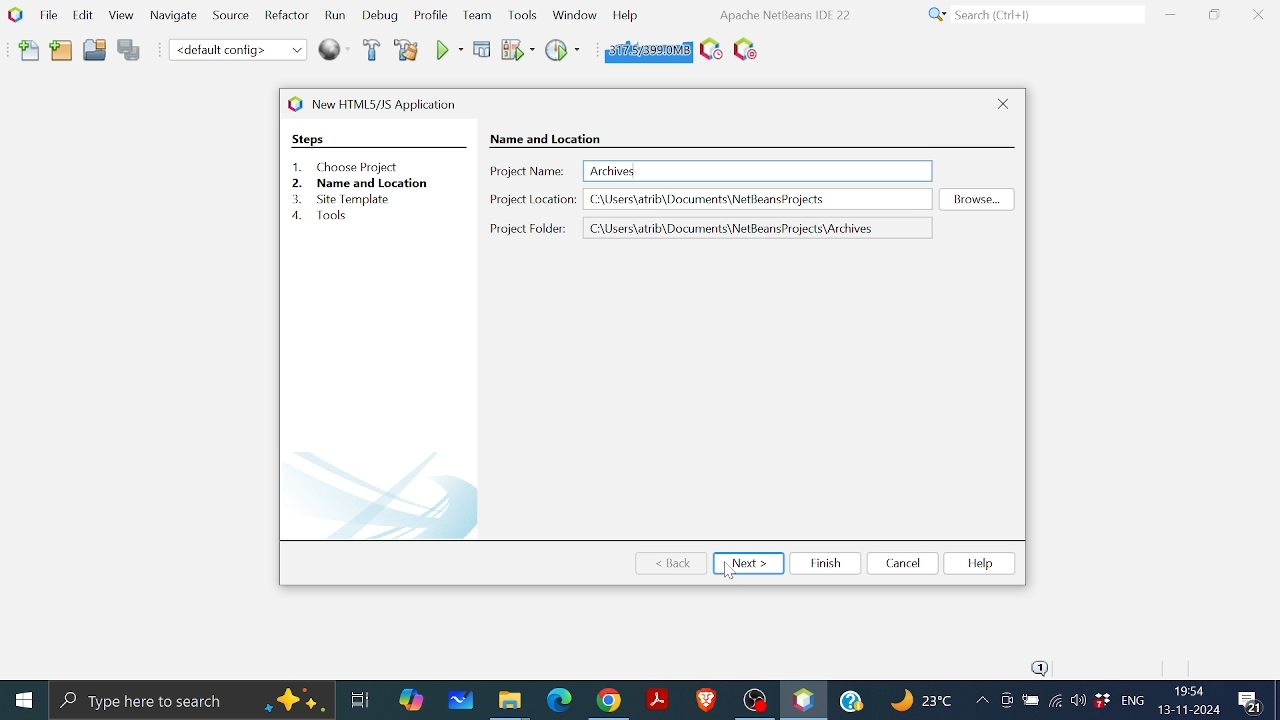 The height and width of the screenshot is (720, 1280). What do you see at coordinates (95, 53) in the screenshot?
I see `Open project` at bounding box center [95, 53].